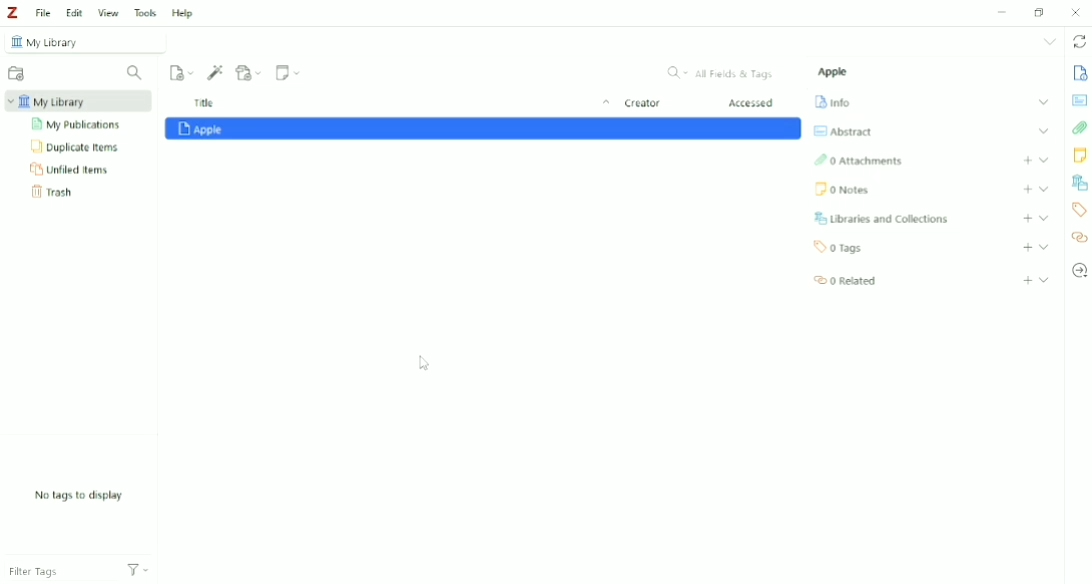  I want to click on Apple, so click(835, 72).